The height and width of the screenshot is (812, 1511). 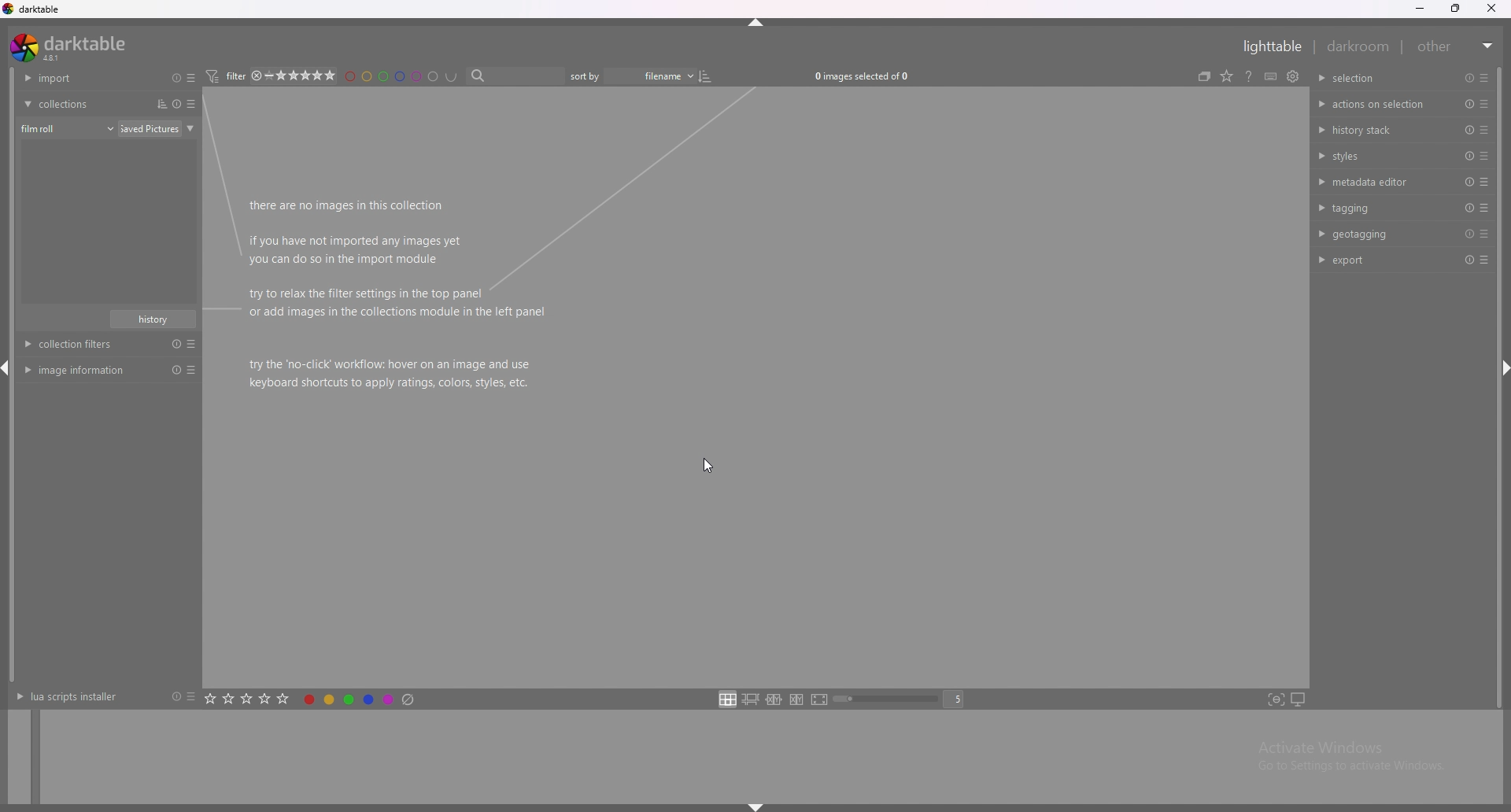 I want to click on presets, so click(x=194, y=104).